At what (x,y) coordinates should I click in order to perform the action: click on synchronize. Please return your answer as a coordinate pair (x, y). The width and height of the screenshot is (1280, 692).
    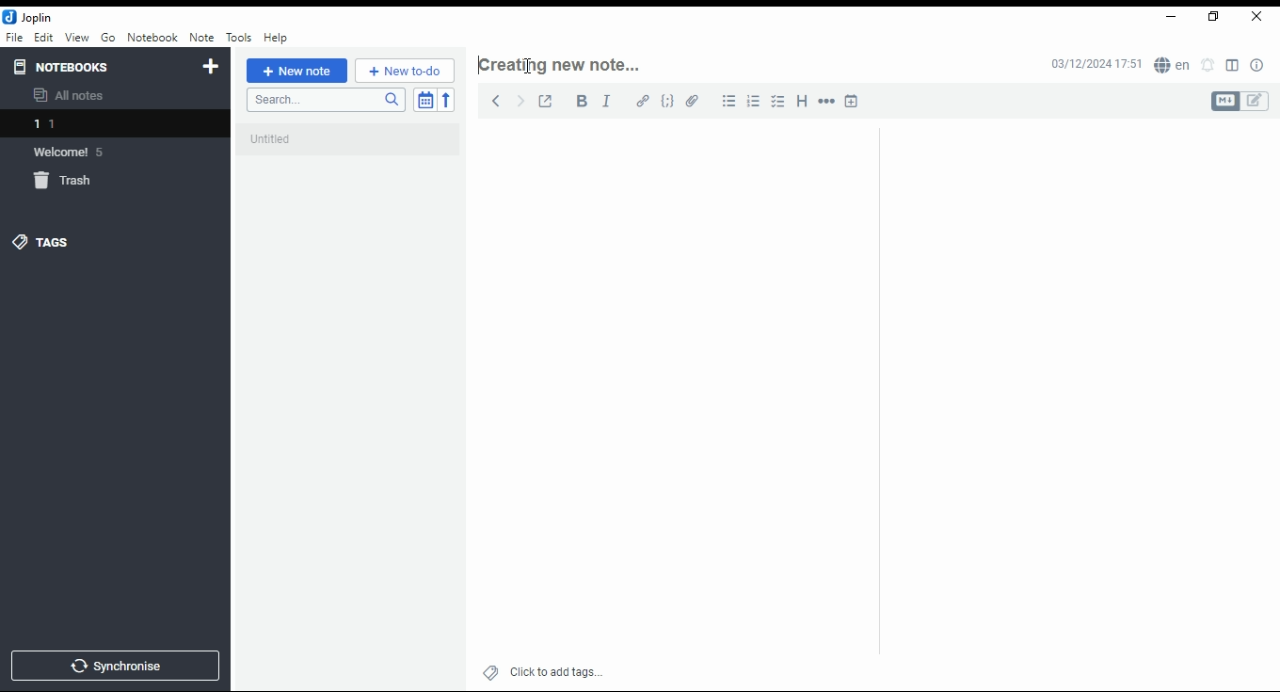
    Looking at the image, I should click on (115, 666).